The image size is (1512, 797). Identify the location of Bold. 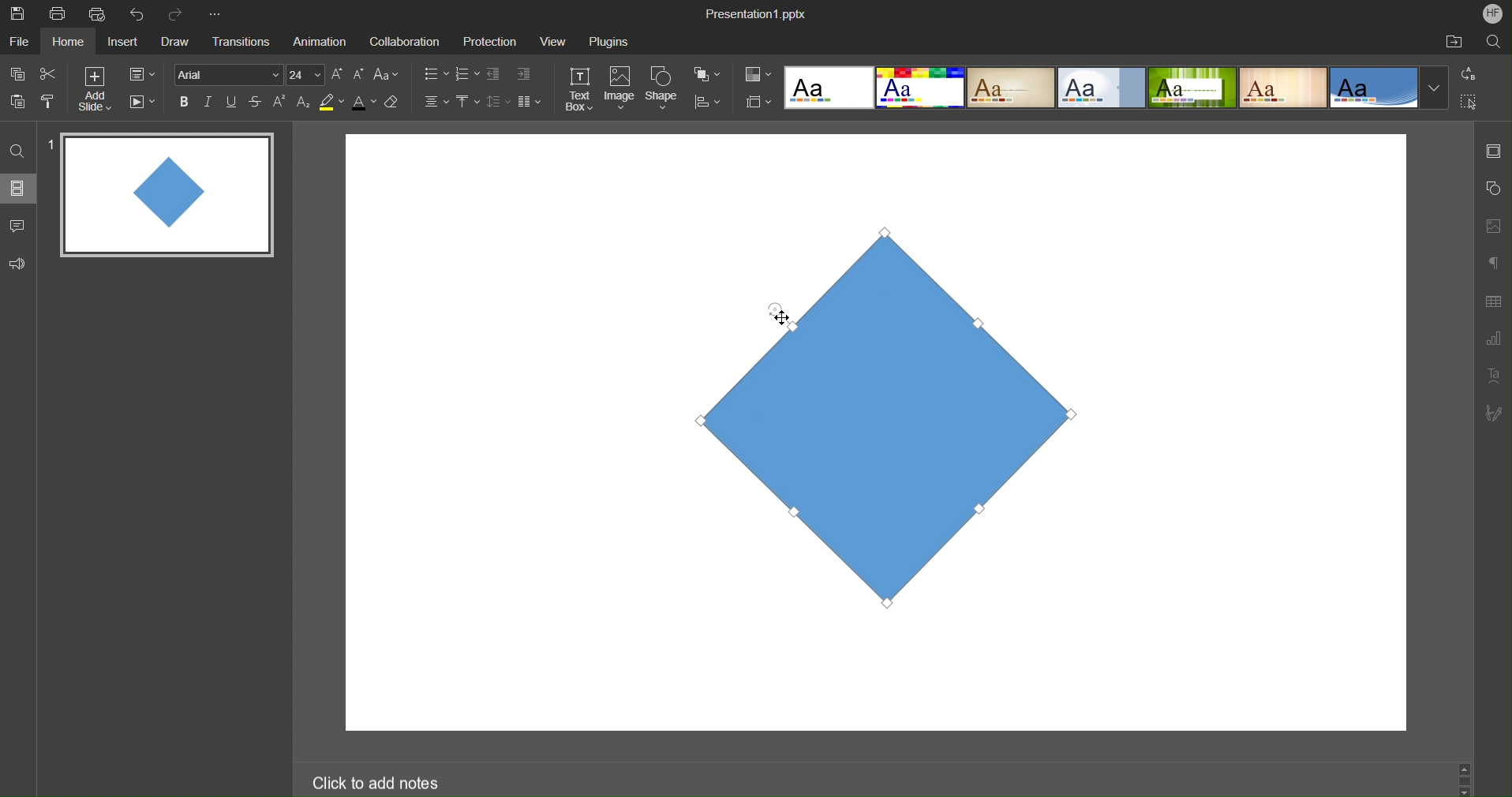
(187, 102).